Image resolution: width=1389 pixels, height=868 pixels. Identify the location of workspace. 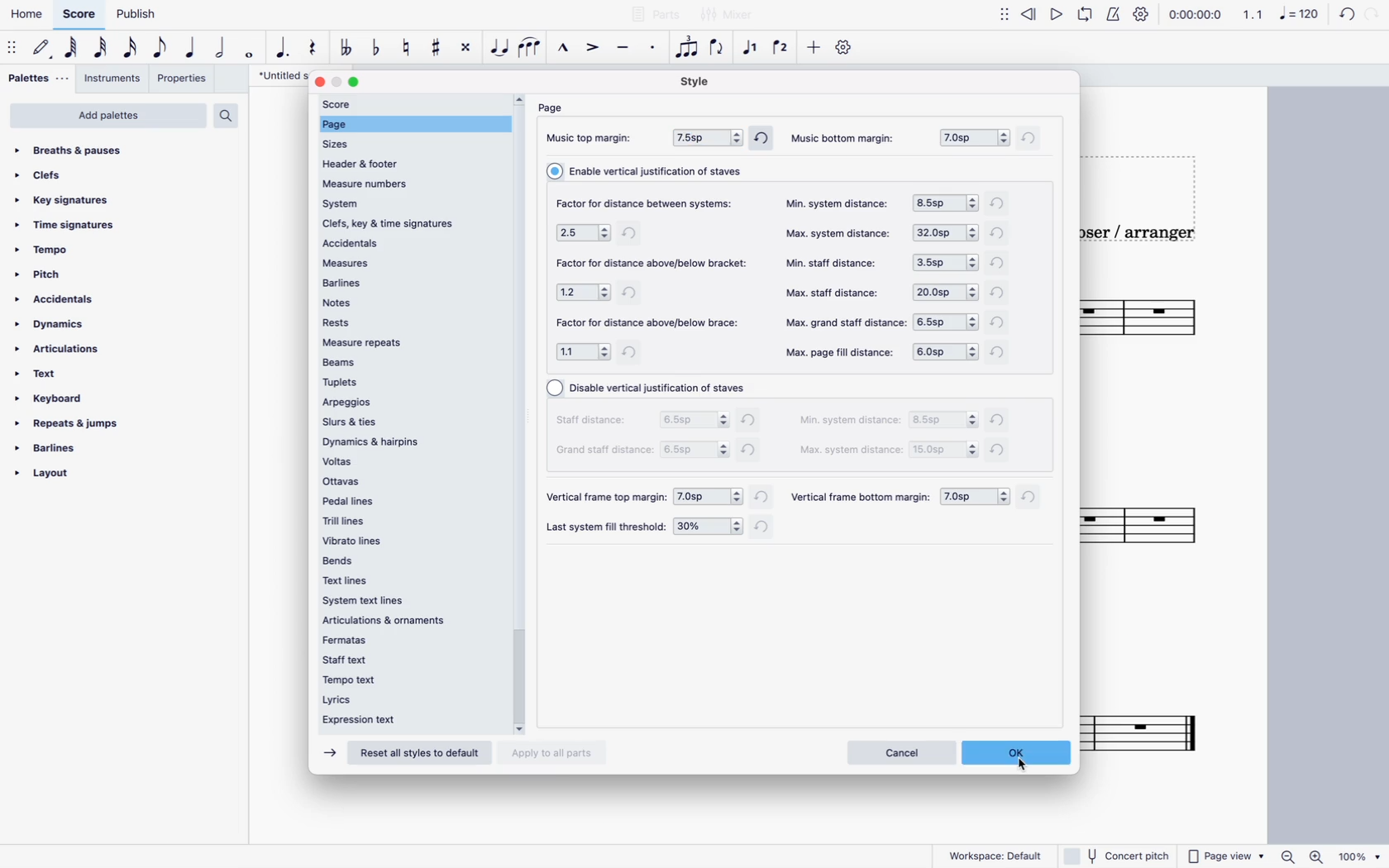
(998, 856).